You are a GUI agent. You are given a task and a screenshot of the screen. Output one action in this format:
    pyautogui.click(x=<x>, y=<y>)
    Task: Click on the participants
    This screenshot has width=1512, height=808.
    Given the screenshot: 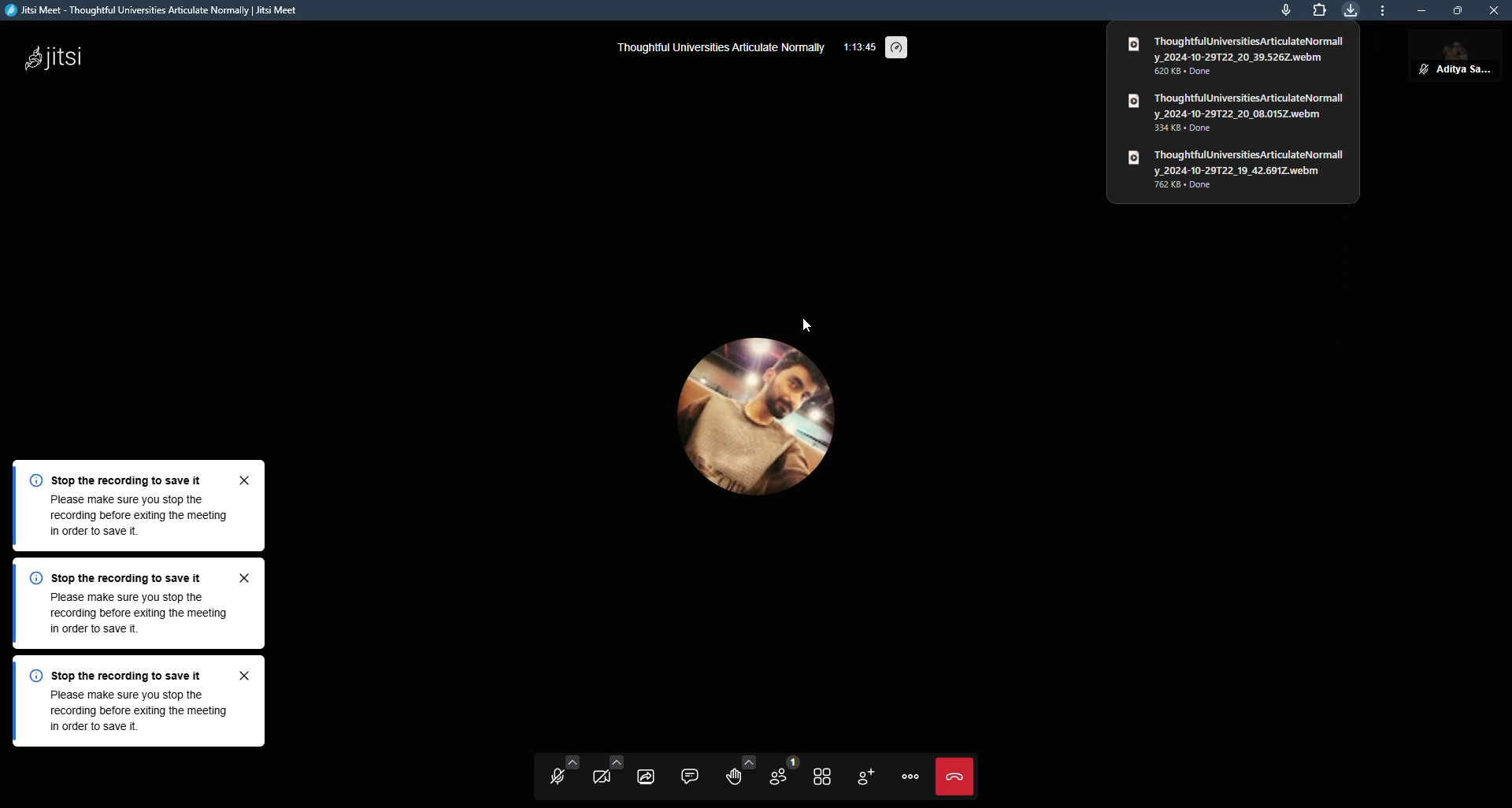 What is the action you would take?
    pyautogui.click(x=776, y=773)
    